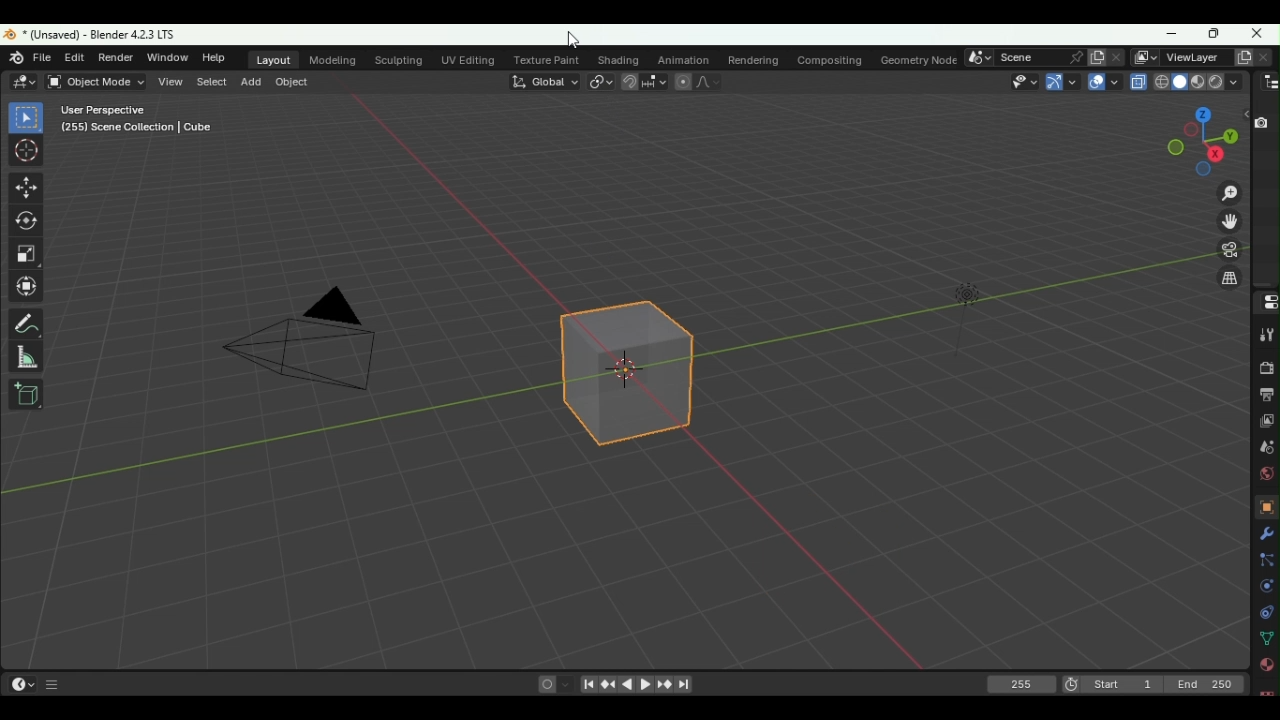 The width and height of the screenshot is (1280, 720). Describe the element at coordinates (955, 296) in the screenshot. I see `lght source` at that location.